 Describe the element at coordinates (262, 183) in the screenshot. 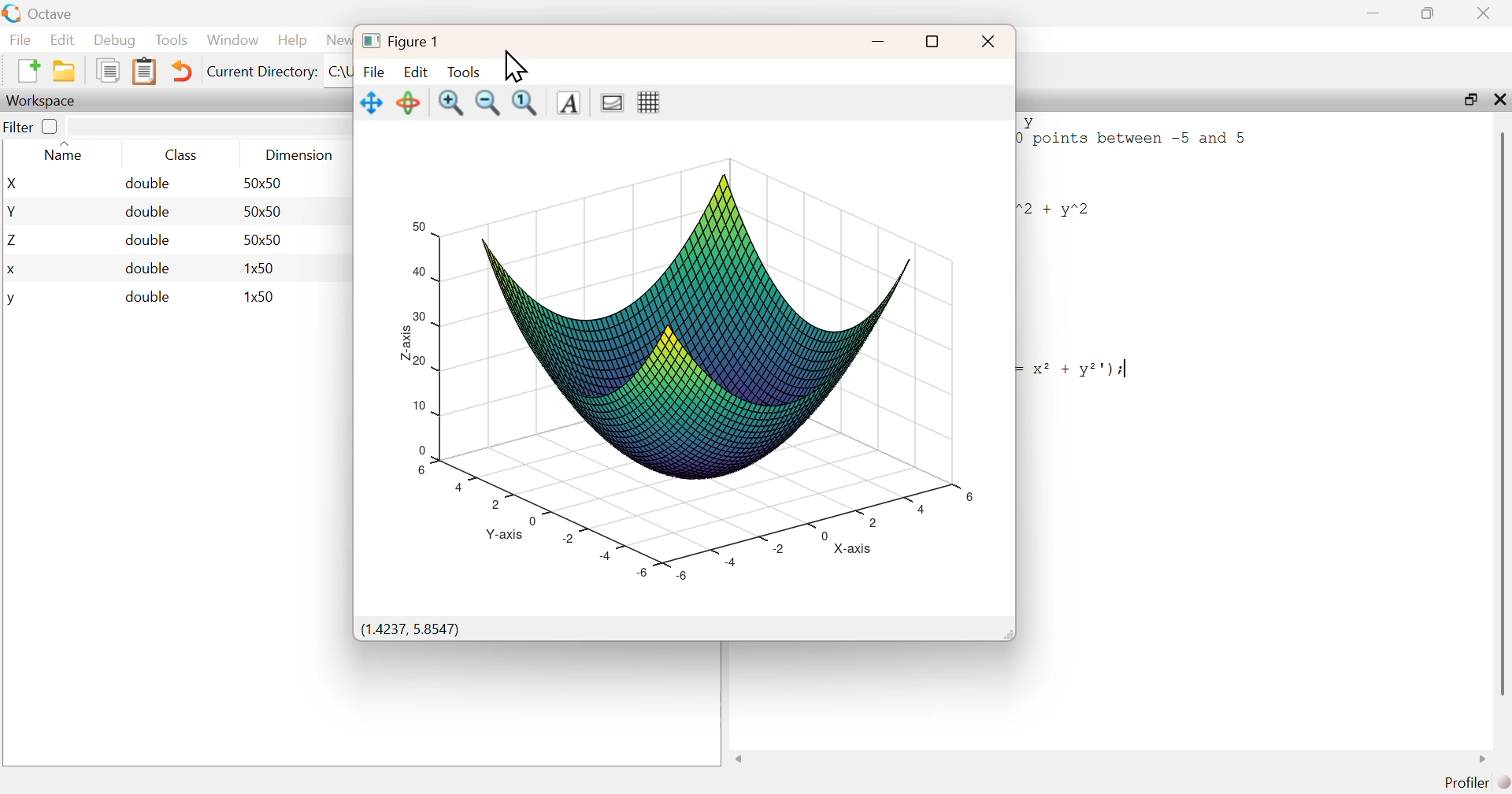

I see `50x50` at that location.